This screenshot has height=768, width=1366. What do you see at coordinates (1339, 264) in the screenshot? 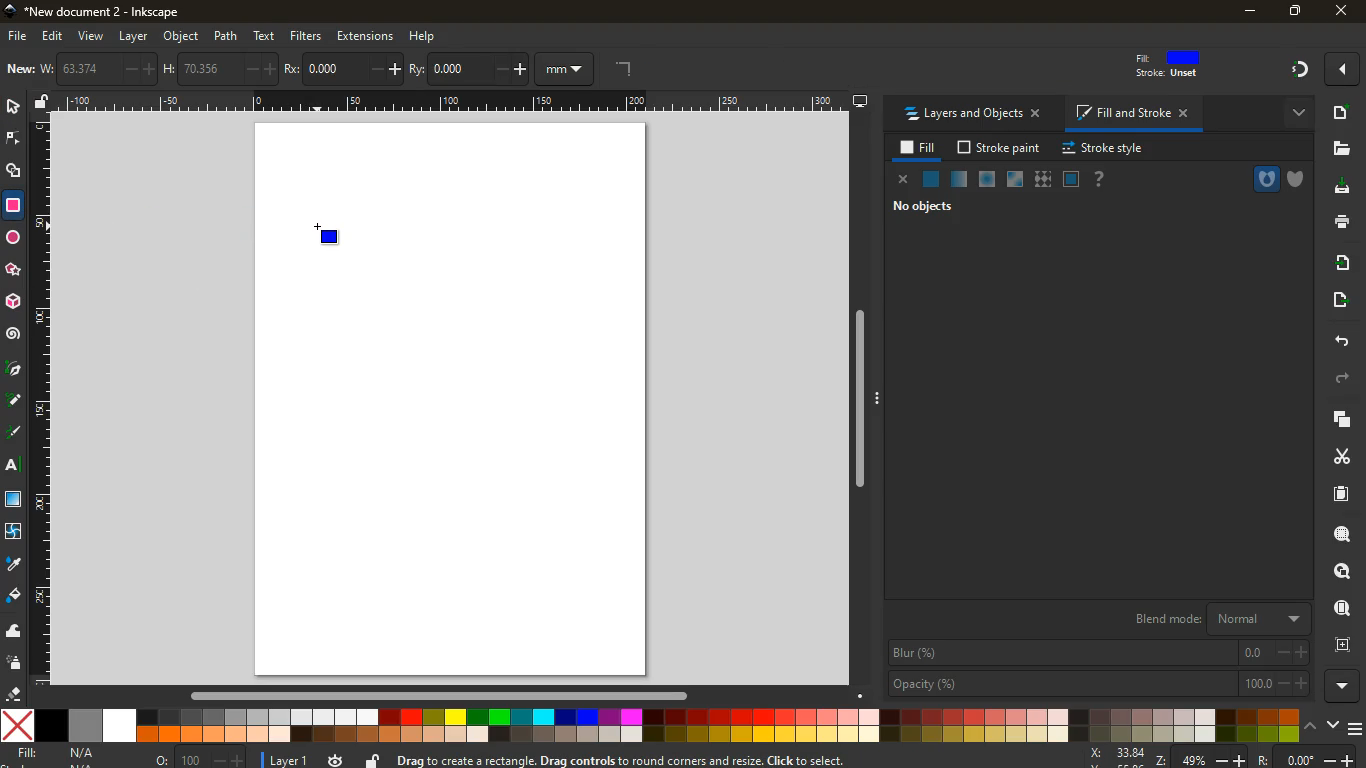
I see `receive` at bounding box center [1339, 264].